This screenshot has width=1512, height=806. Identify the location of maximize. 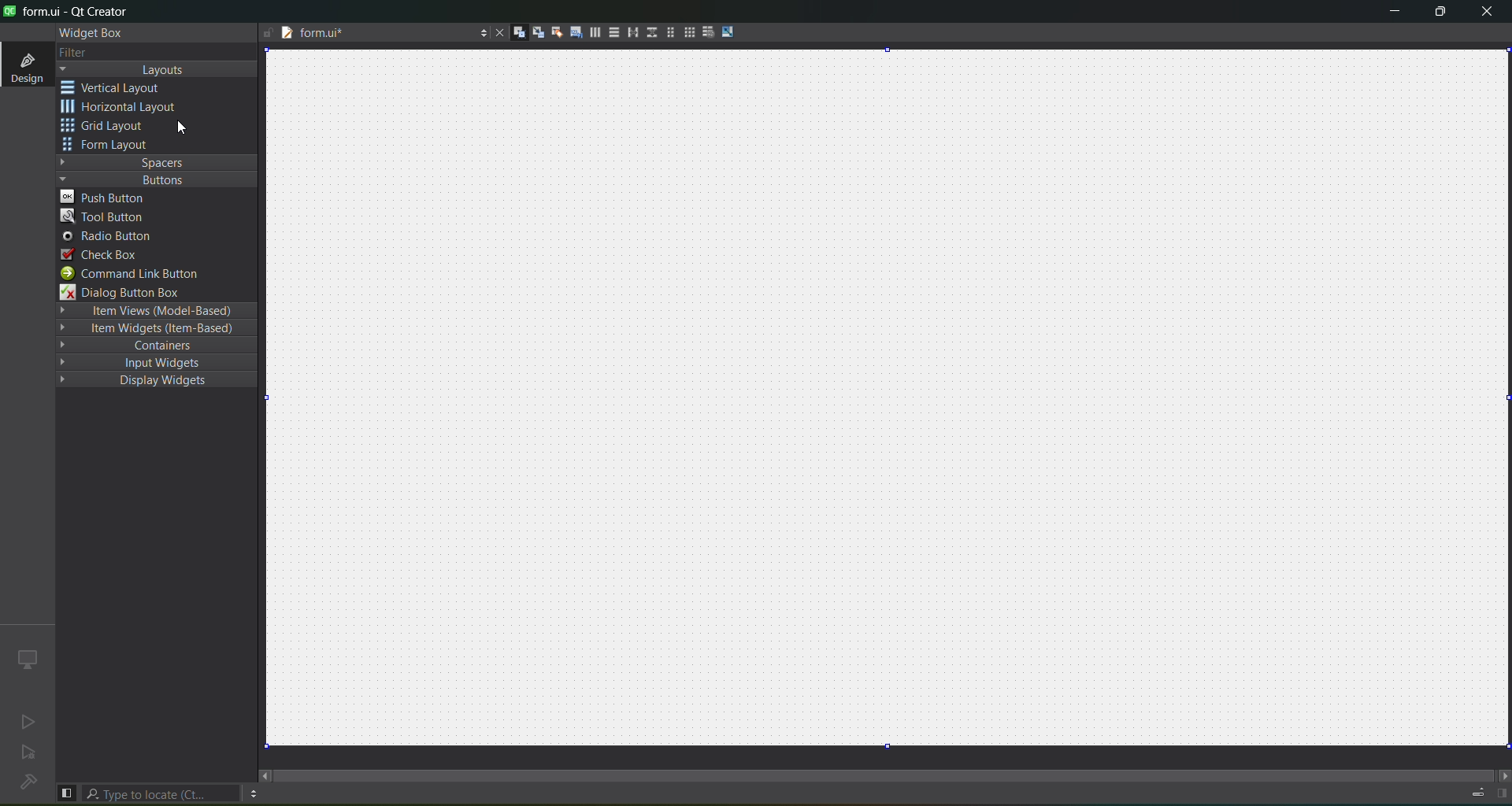
(1438, 13).